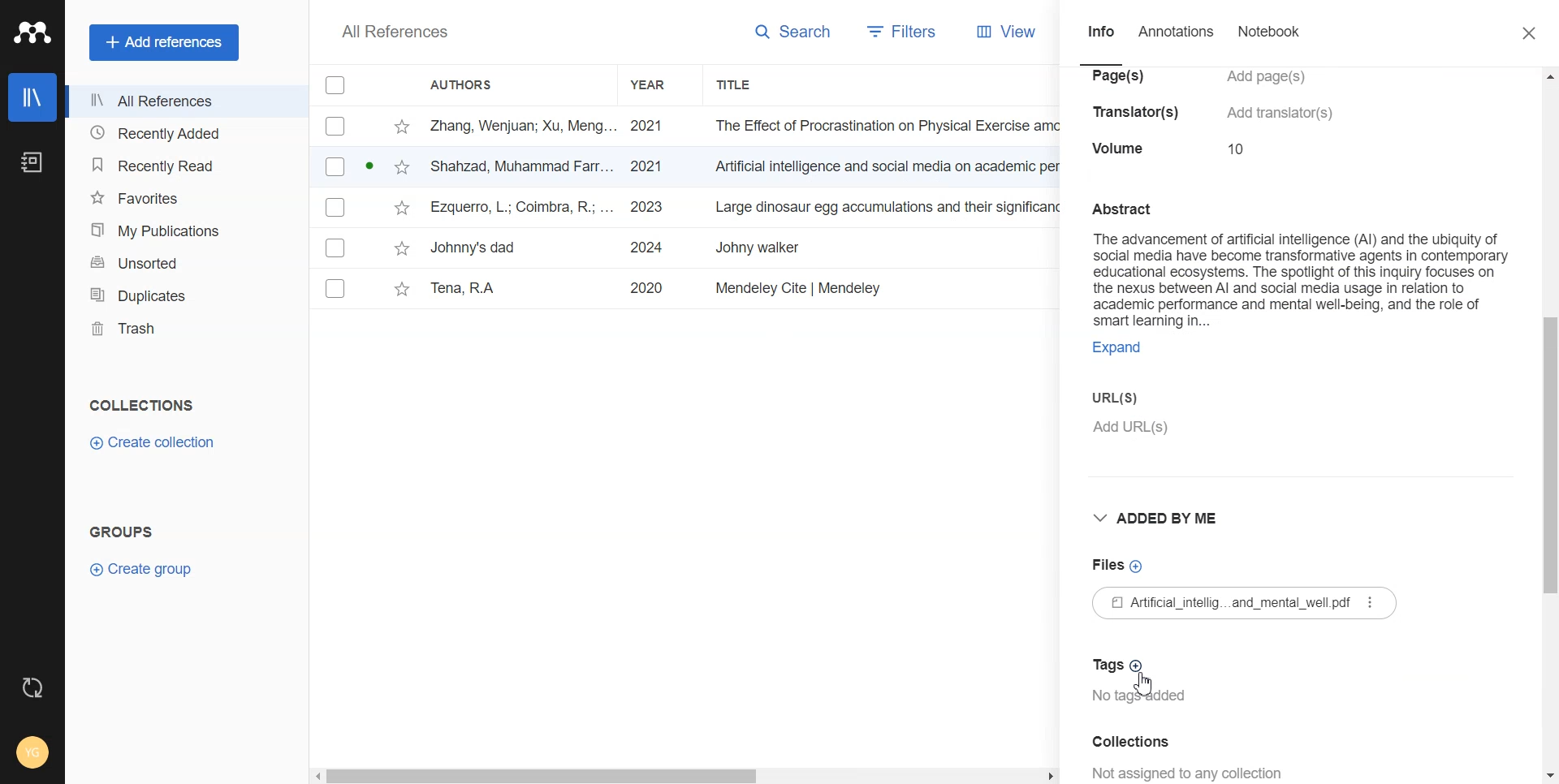 Image resolution: width=1559 pixels, height=784 pixels. I want to click on Logo, so click(32, 32).